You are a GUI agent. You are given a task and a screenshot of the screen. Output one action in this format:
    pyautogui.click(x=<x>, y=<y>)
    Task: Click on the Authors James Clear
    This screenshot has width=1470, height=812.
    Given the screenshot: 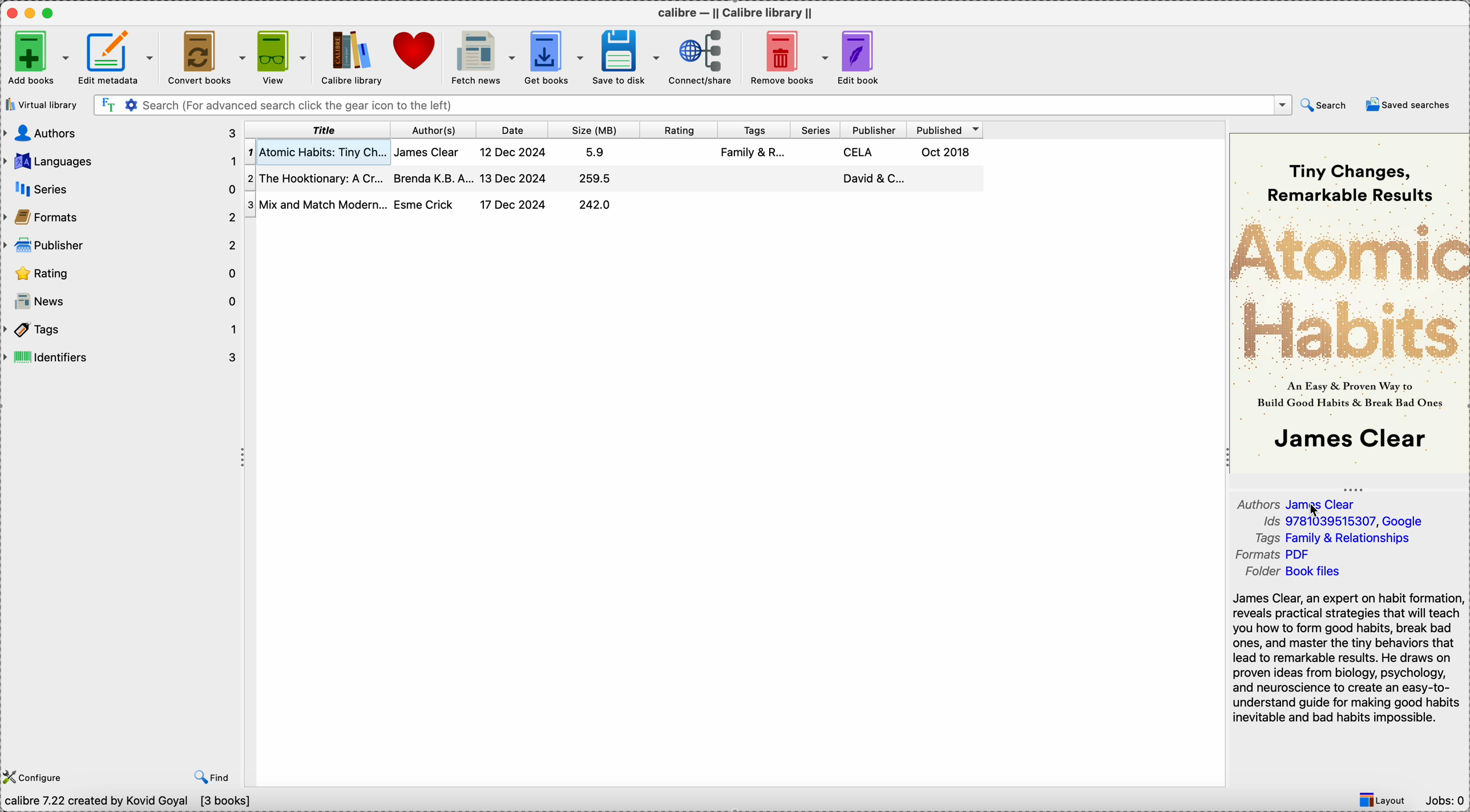 What is the action you would take?
    pyautogui.click(x=1300, y=503)
    